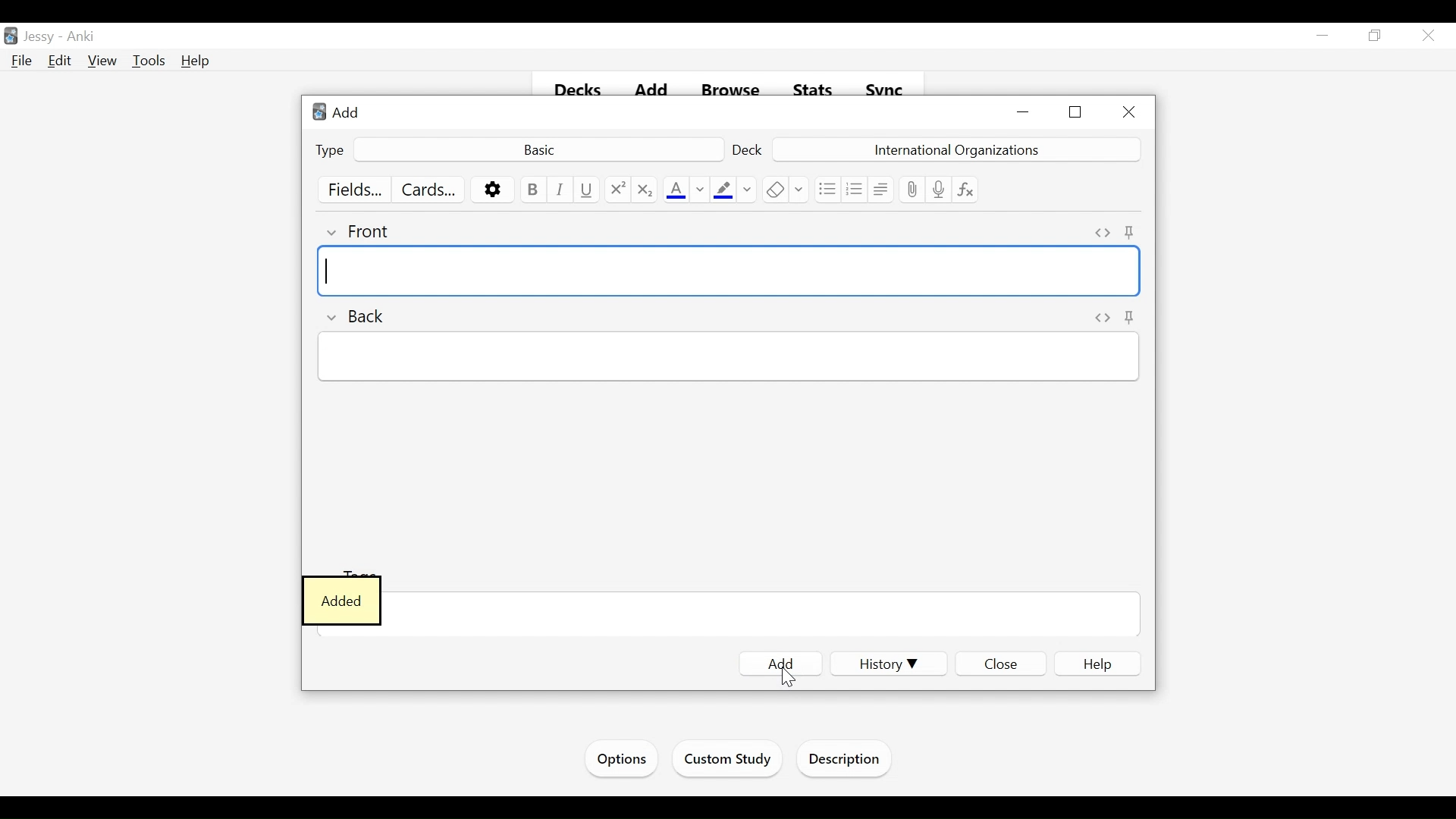 The height and width of the screenshot is (819, 1456). What do you see at coordinates (616, 190) in the screenshot?
I see `Superscript` at bounding box center [616, 190].